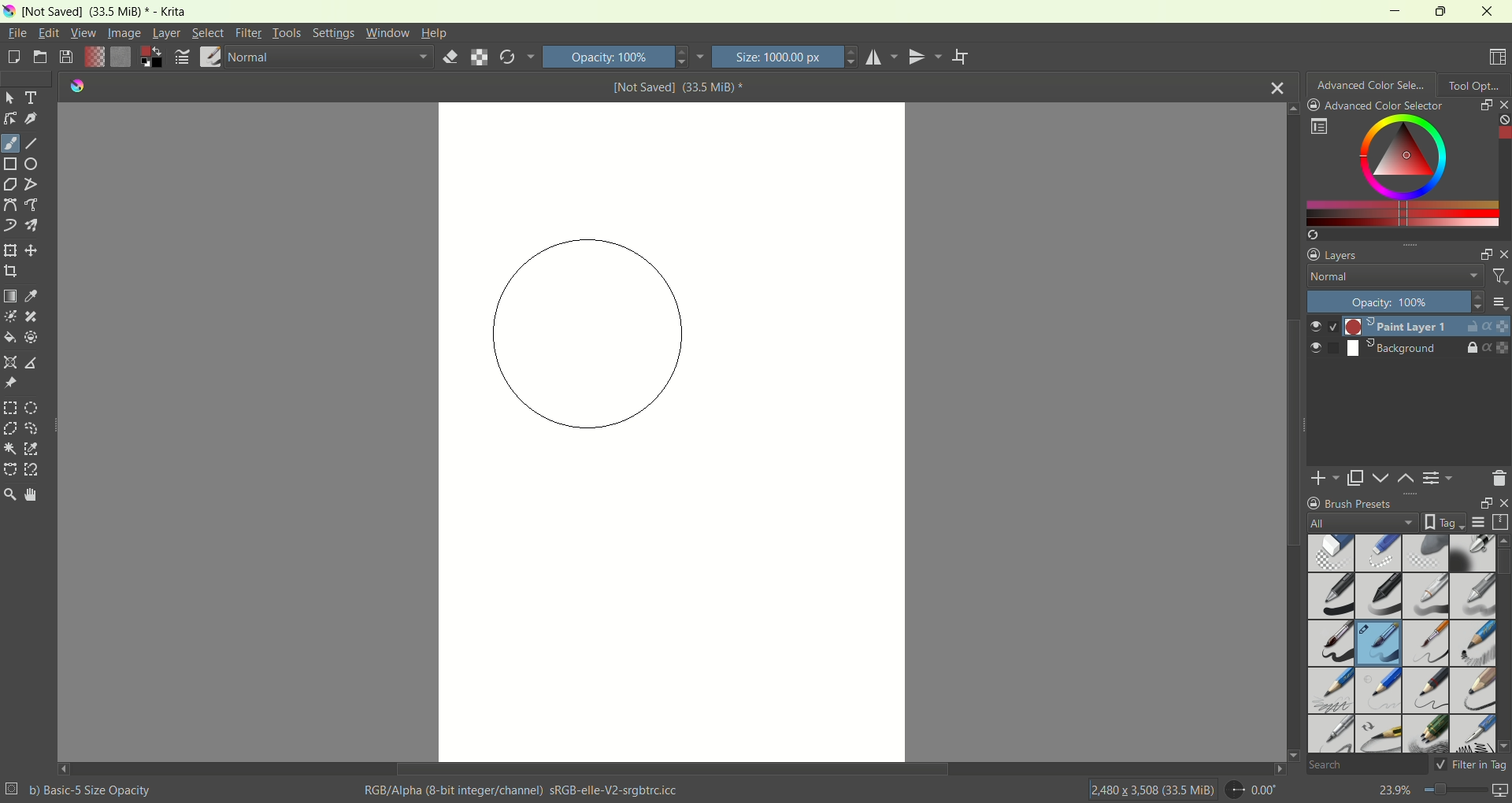 This screenshot has width=1512, height=803. Describe the element at coordinates (211, 58) in the screenshot. I see `brush` at that location.